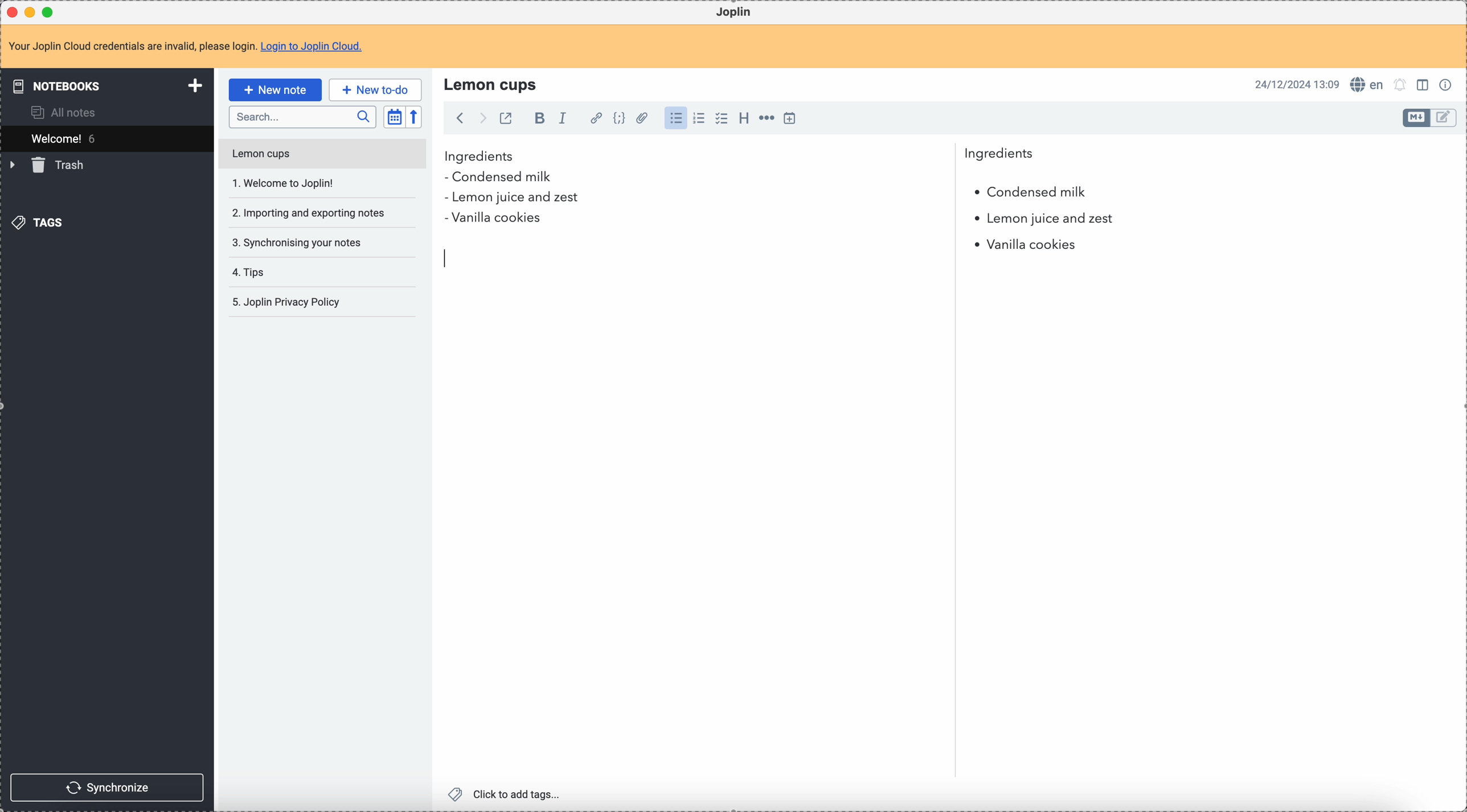 The image size is (1467, 812). Describe the element at coordinates (289, 302) in the screenshot. I see `Joplin privacy policy note` at that location.